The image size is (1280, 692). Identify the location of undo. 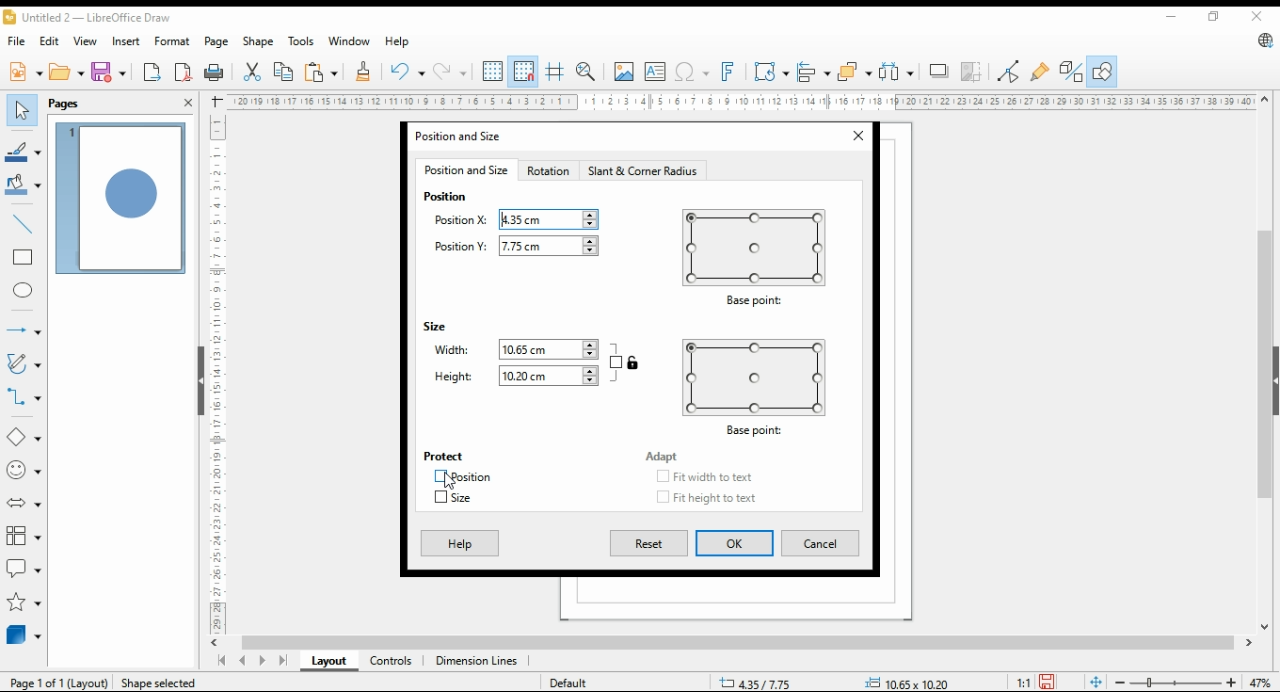
(407, 72).